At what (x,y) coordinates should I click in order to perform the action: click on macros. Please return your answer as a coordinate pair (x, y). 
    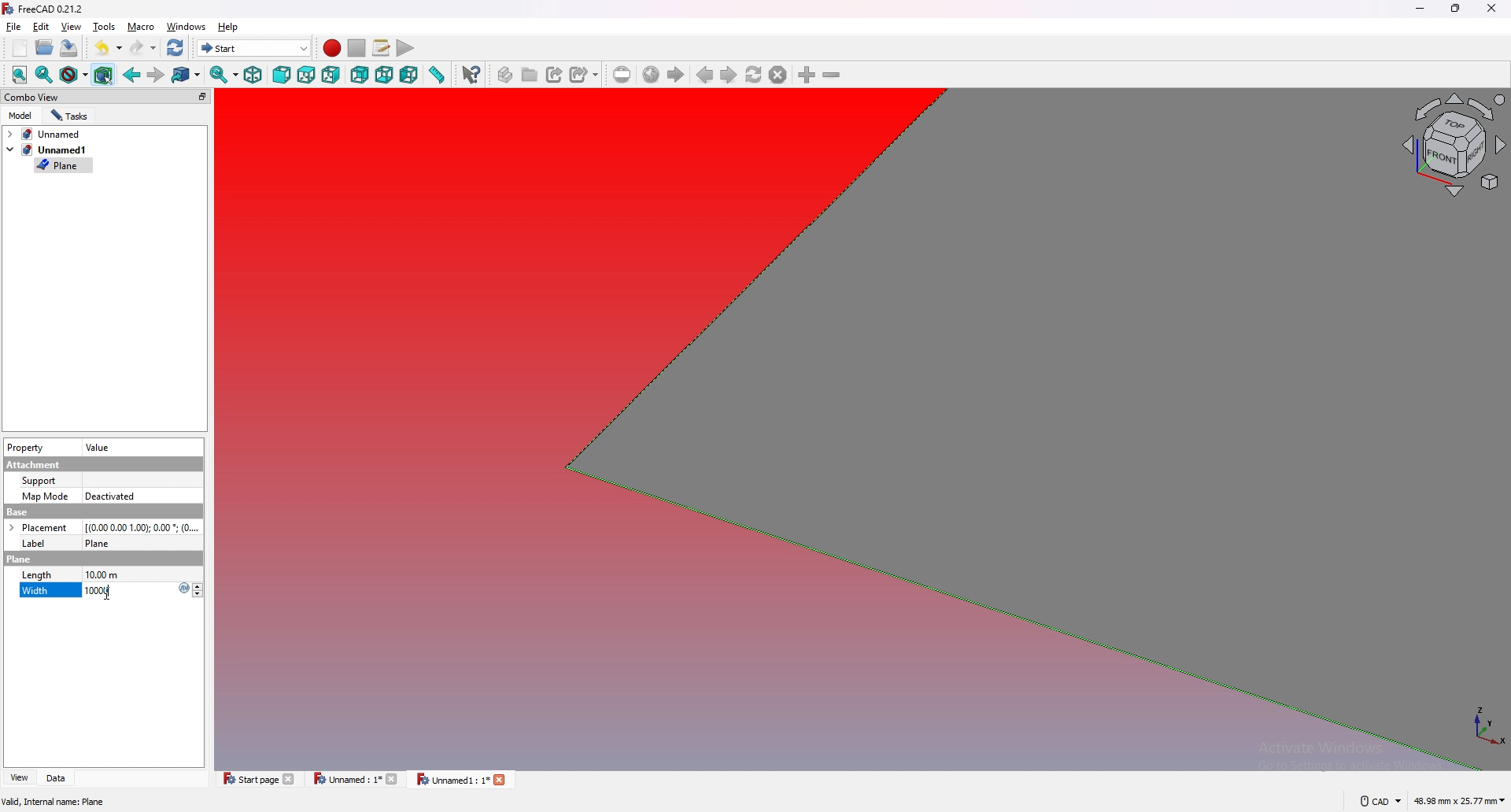
    Looking at the image, I should click on (382, 47).